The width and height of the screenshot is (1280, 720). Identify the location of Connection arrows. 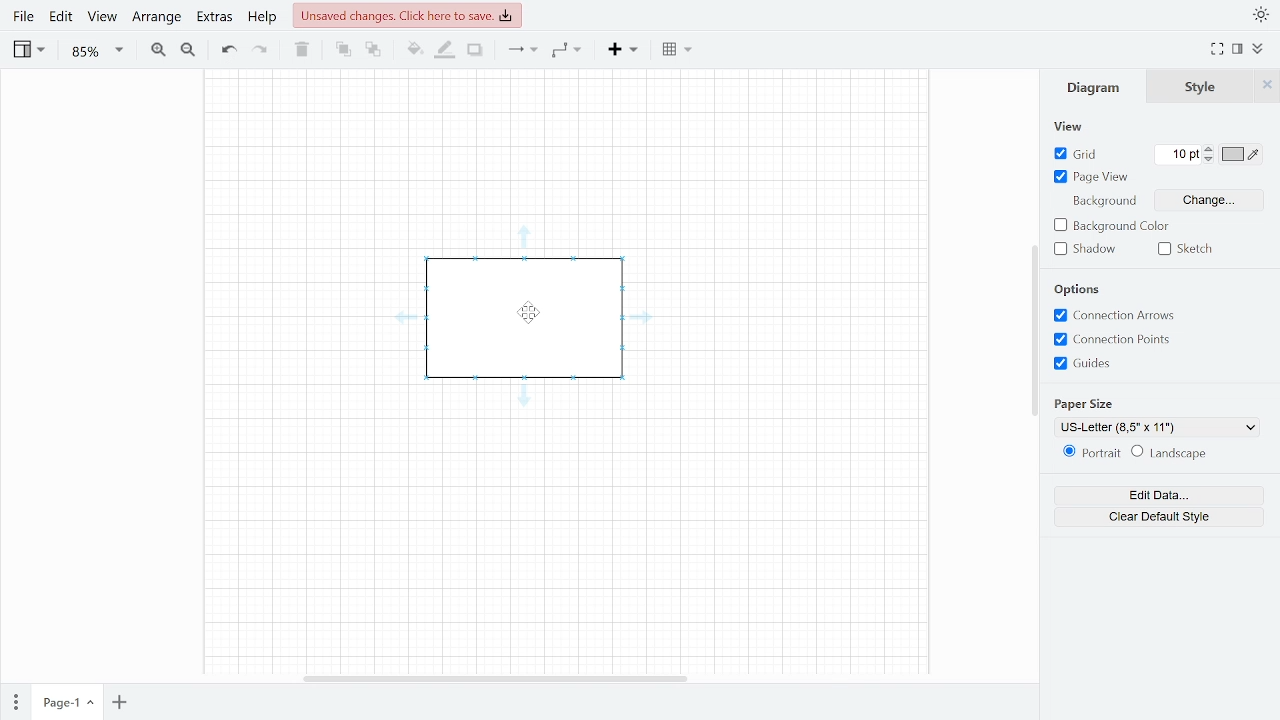
(1129, 316).